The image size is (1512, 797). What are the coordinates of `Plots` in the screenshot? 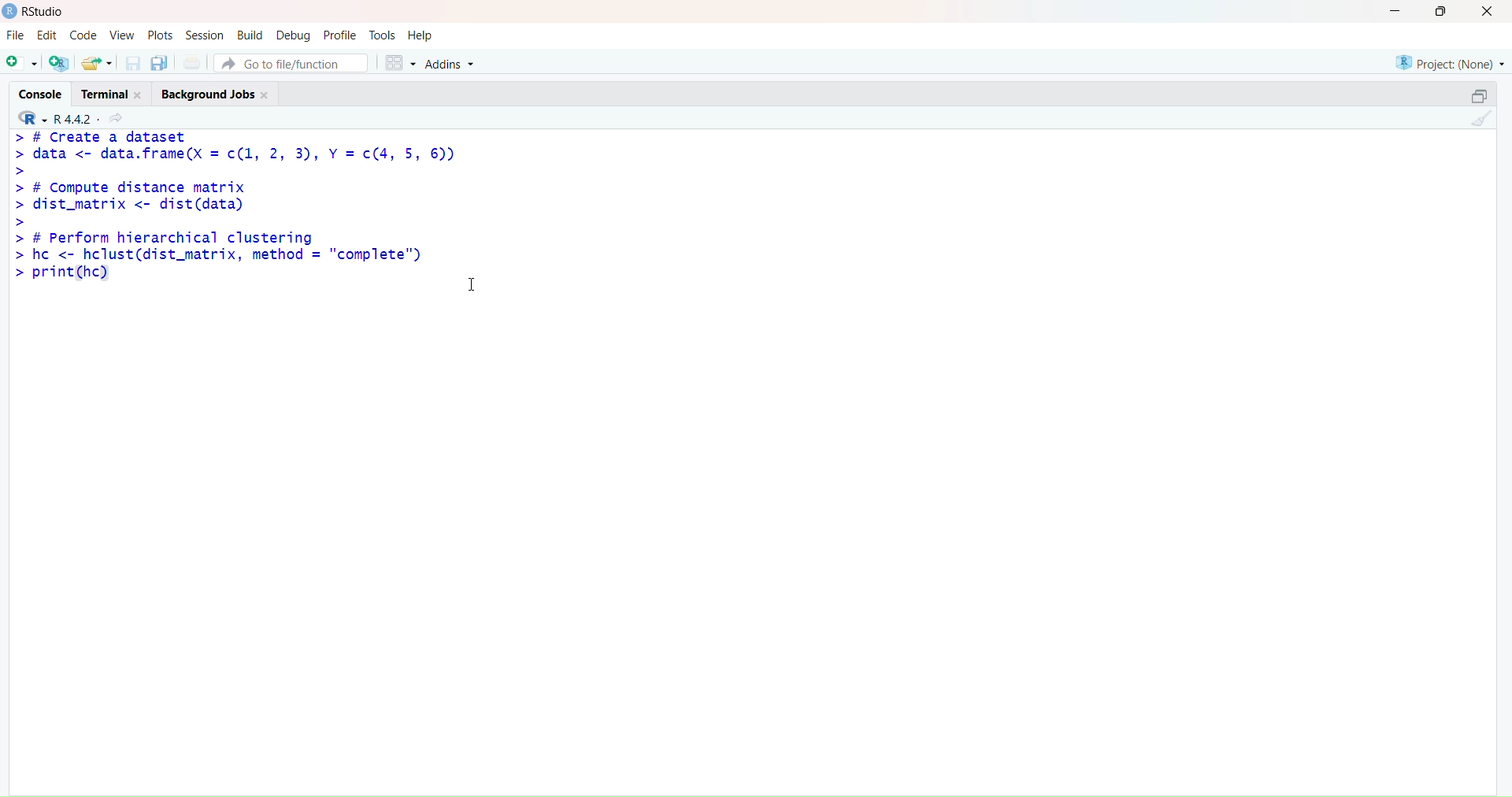 It's located at (160, 35).